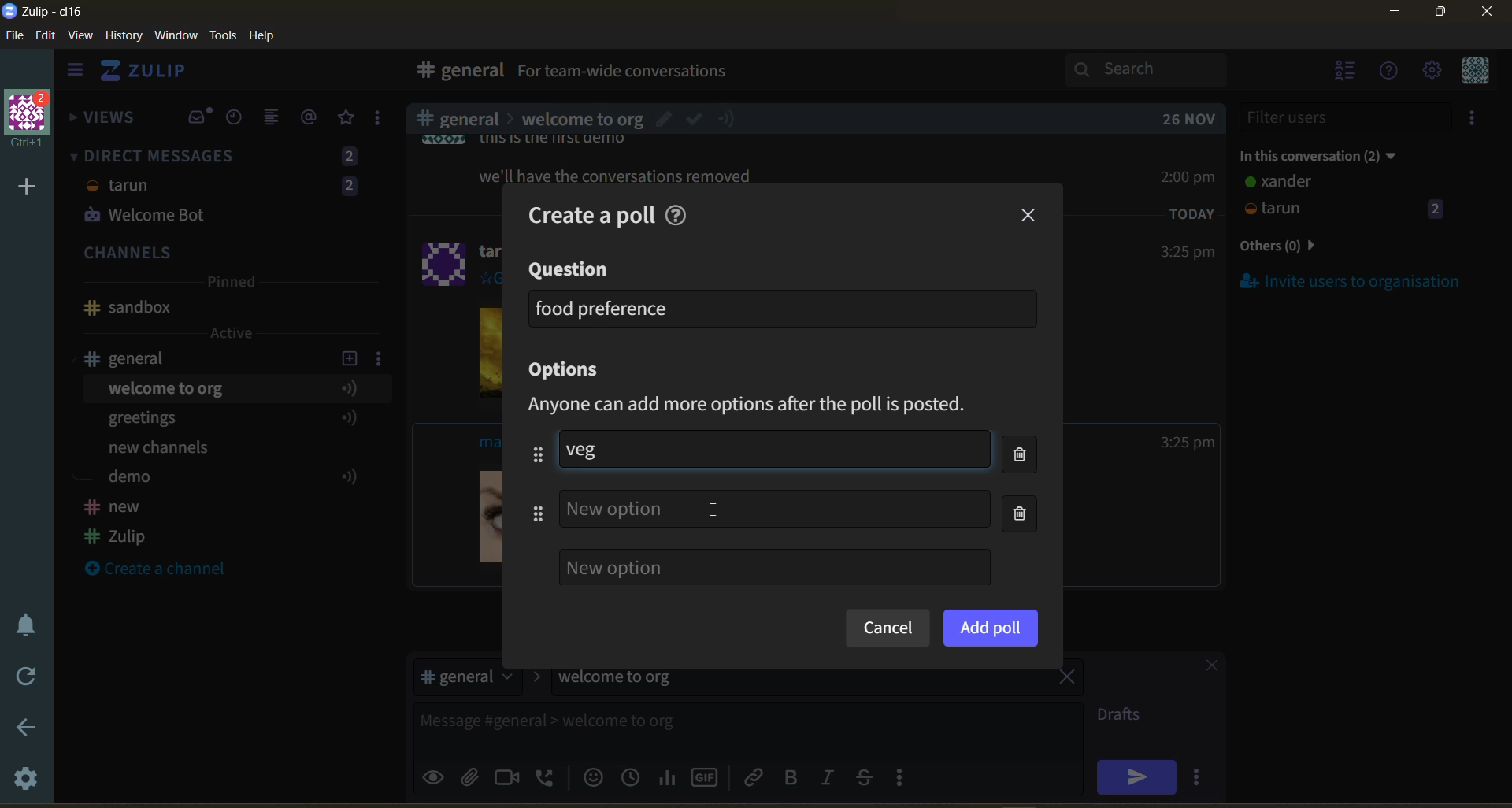 The image size is (1512, 808). What do you see at coordinates (233, 333) in the screenshot?
I see `active` at bounding box center [233, 333].